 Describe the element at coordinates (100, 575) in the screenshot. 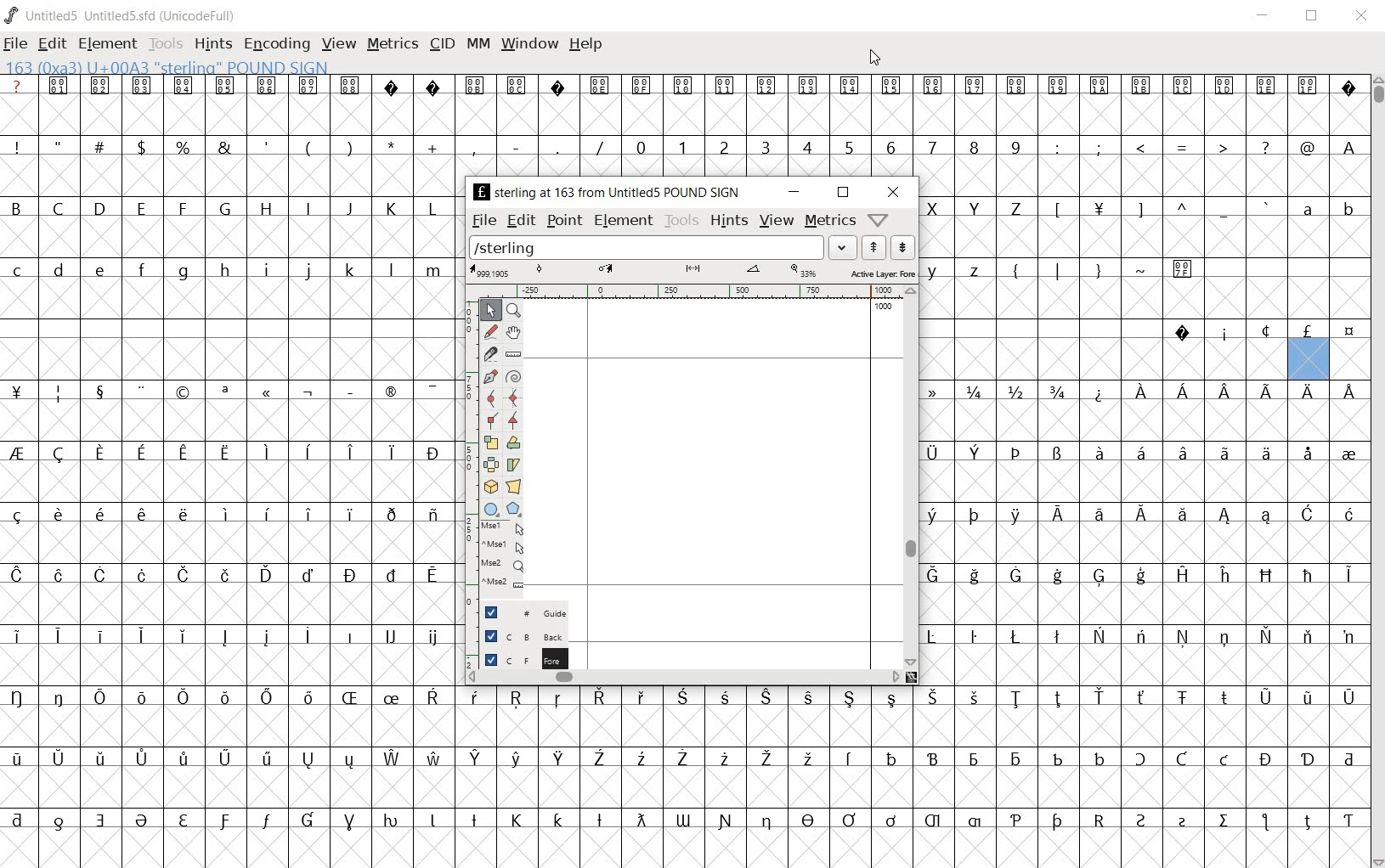

I see `Symbol` at that location.